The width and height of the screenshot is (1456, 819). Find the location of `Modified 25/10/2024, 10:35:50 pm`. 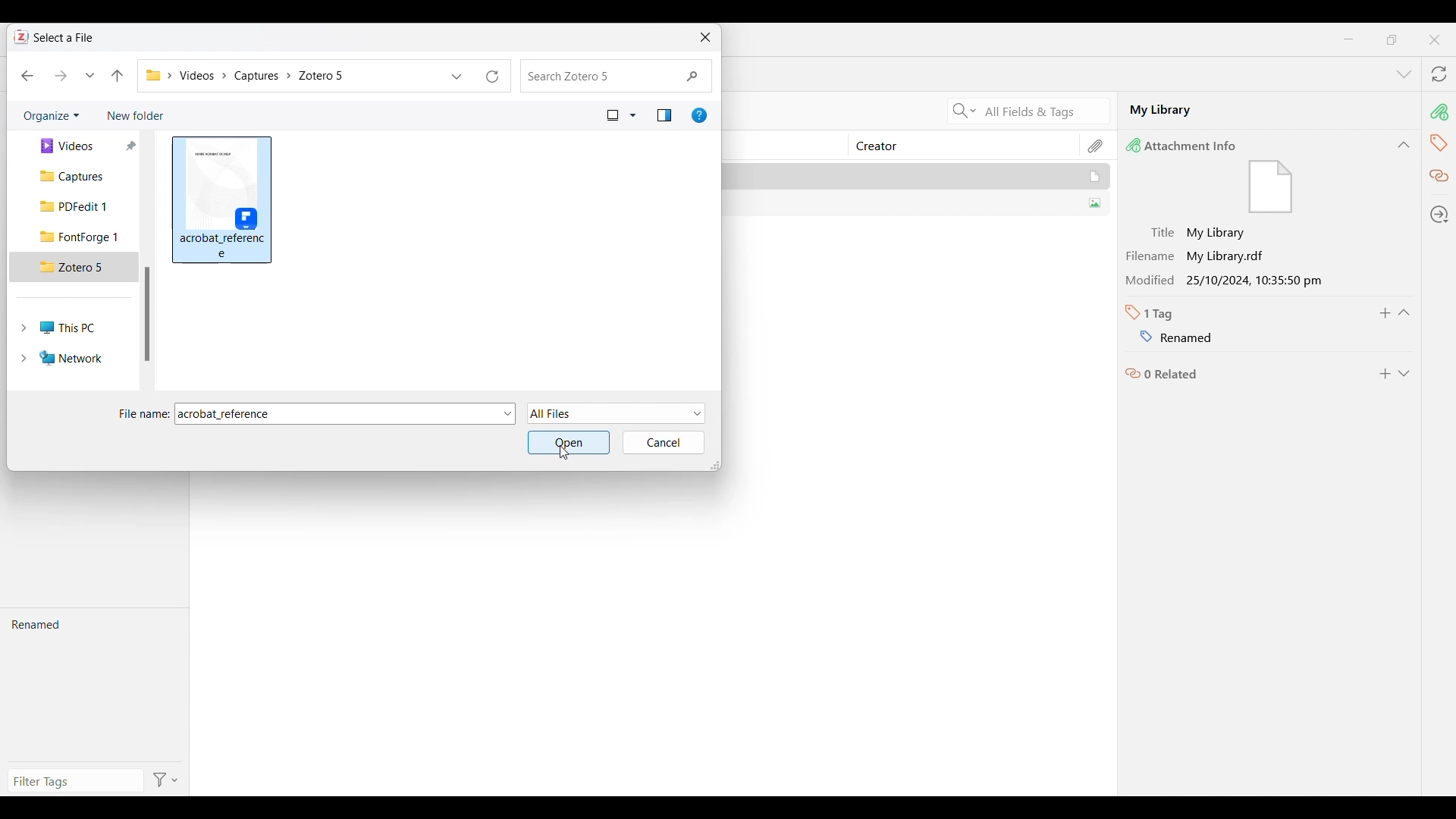

Modified 25/10/2024, 10:35:50 pm is located at coordinates (1231, 281).